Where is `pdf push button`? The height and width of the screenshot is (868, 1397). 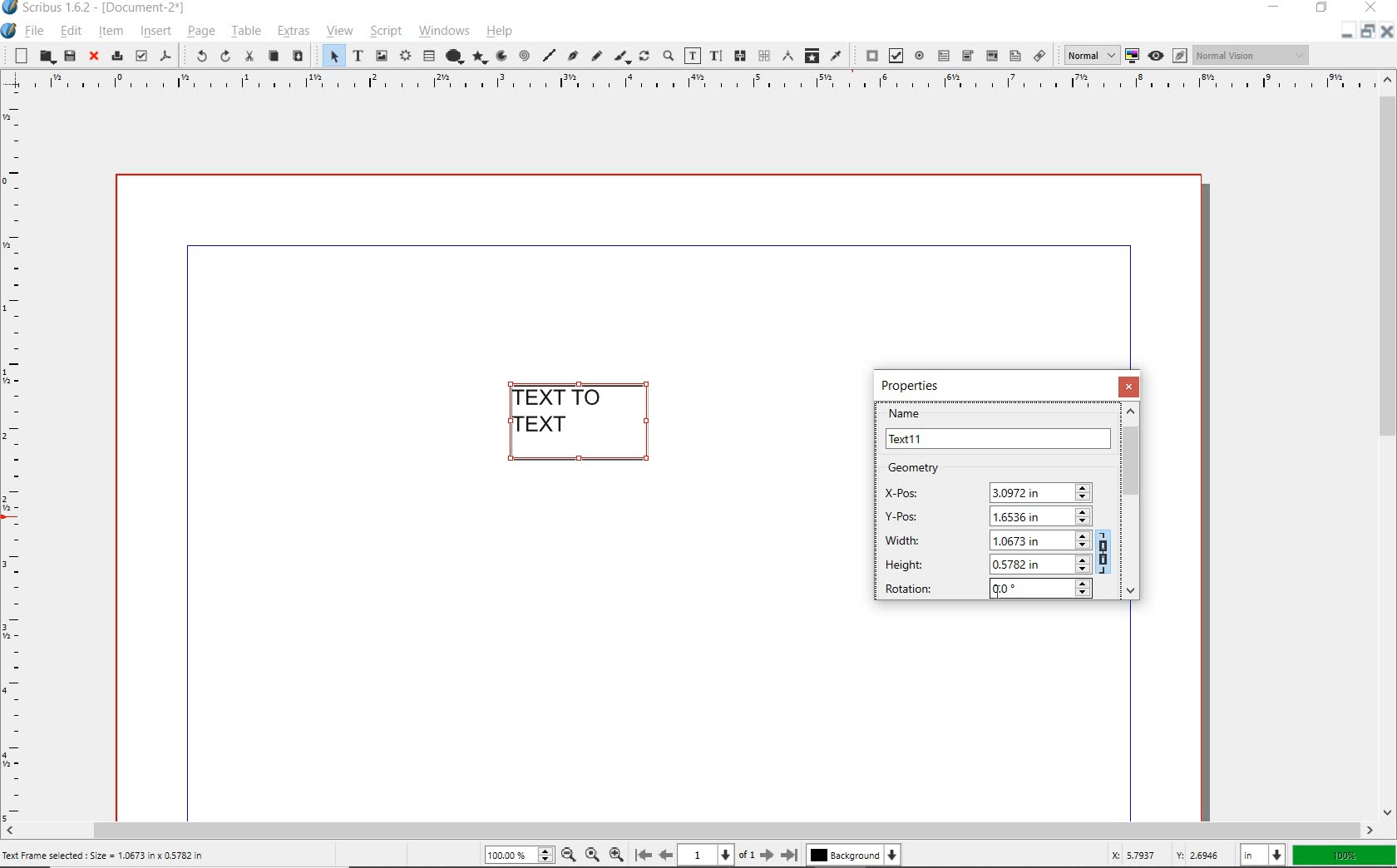
pdf push button is located at coordinates (866, 56).